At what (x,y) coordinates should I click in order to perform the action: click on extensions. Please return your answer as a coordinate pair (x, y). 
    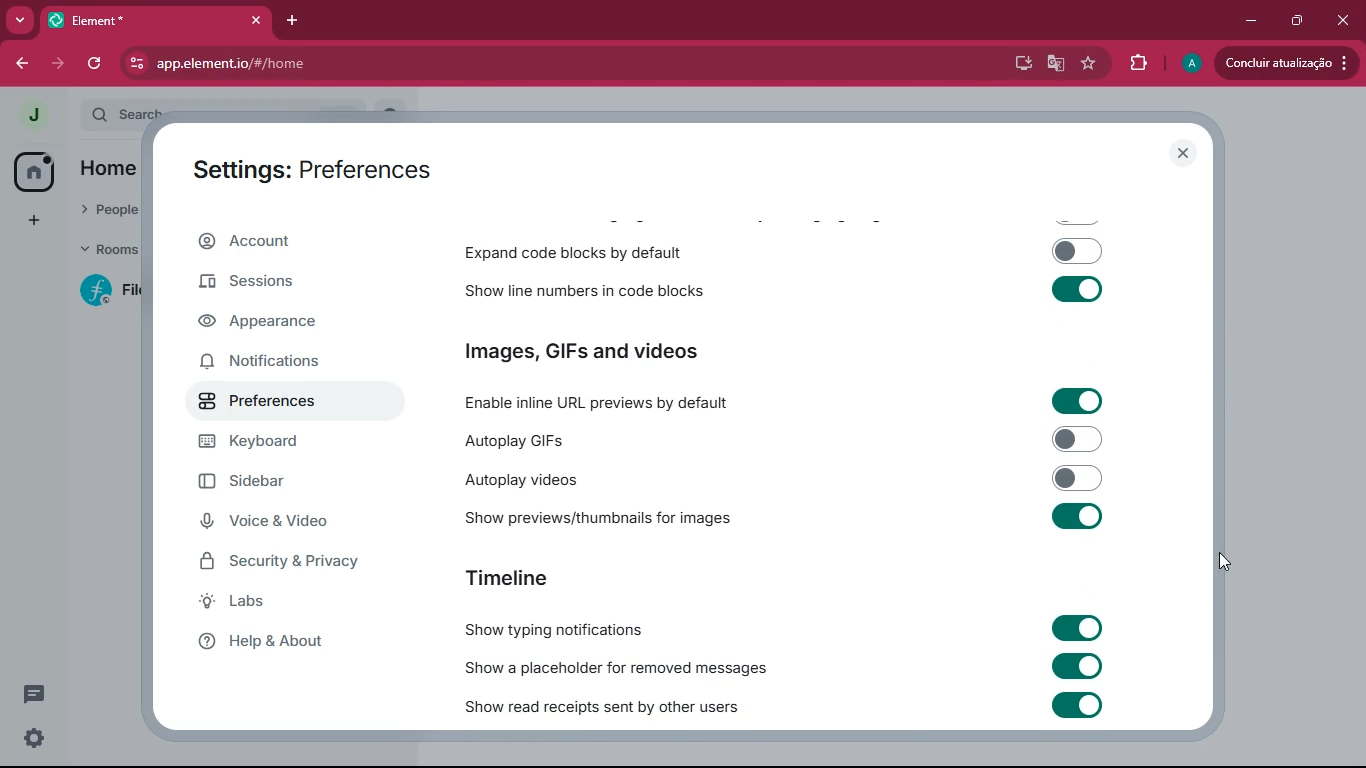
    Looking at the image, I should click on (1141, 65).